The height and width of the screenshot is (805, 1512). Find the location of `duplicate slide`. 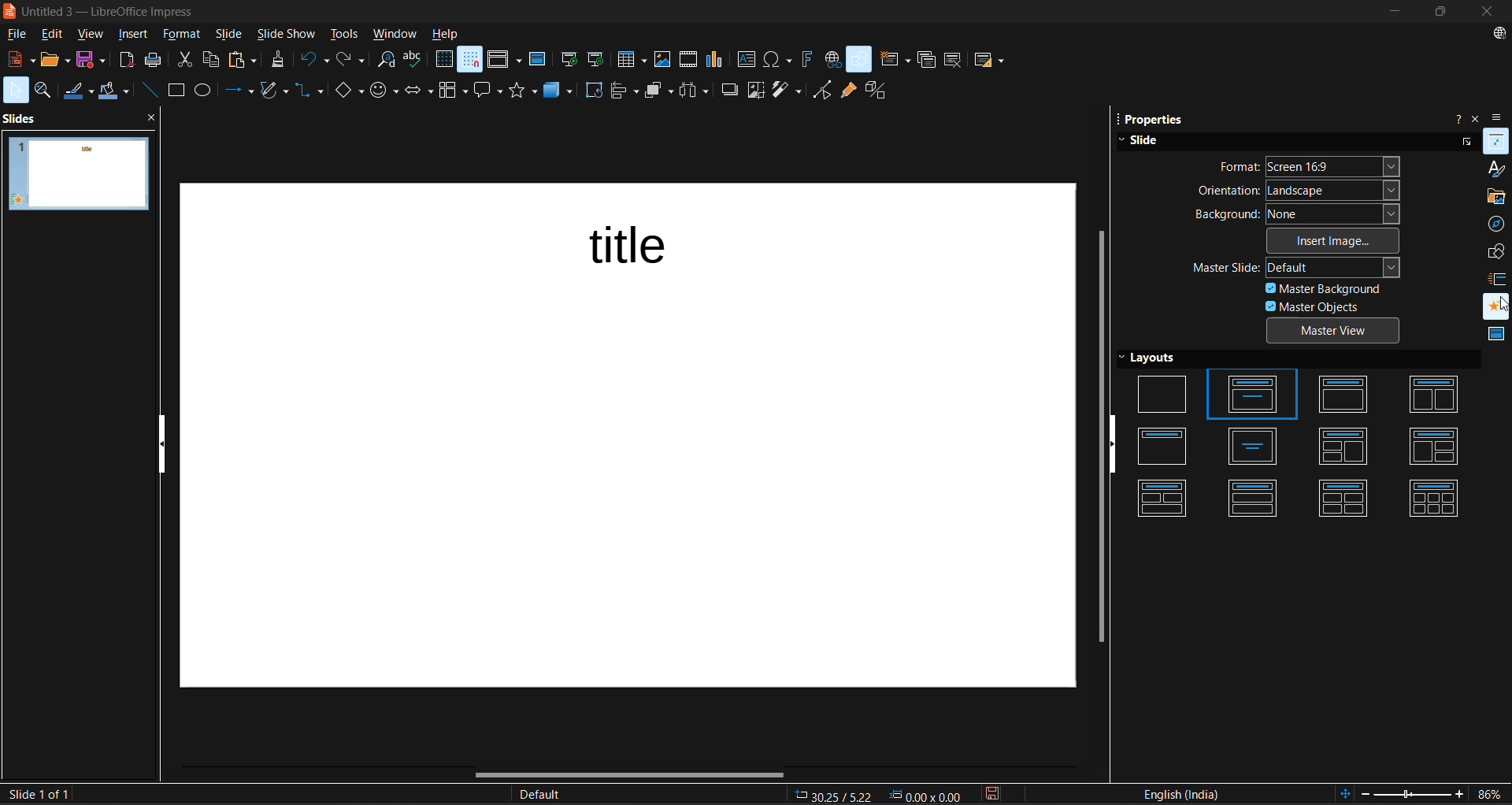

duplicate slide is located at coordinates (927, 62).